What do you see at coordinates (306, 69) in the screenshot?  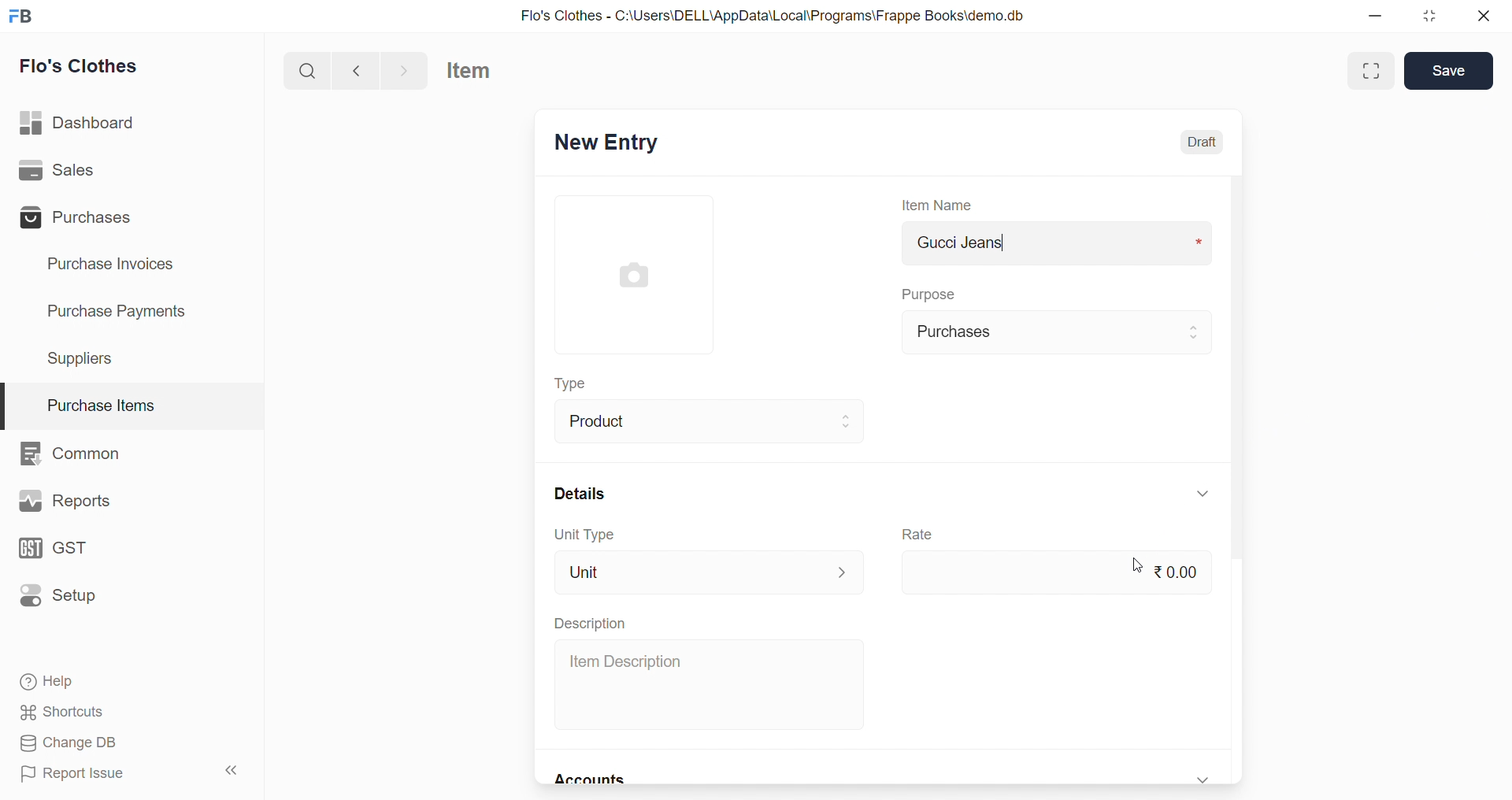 I see `search` at bounding box center [306, 69].